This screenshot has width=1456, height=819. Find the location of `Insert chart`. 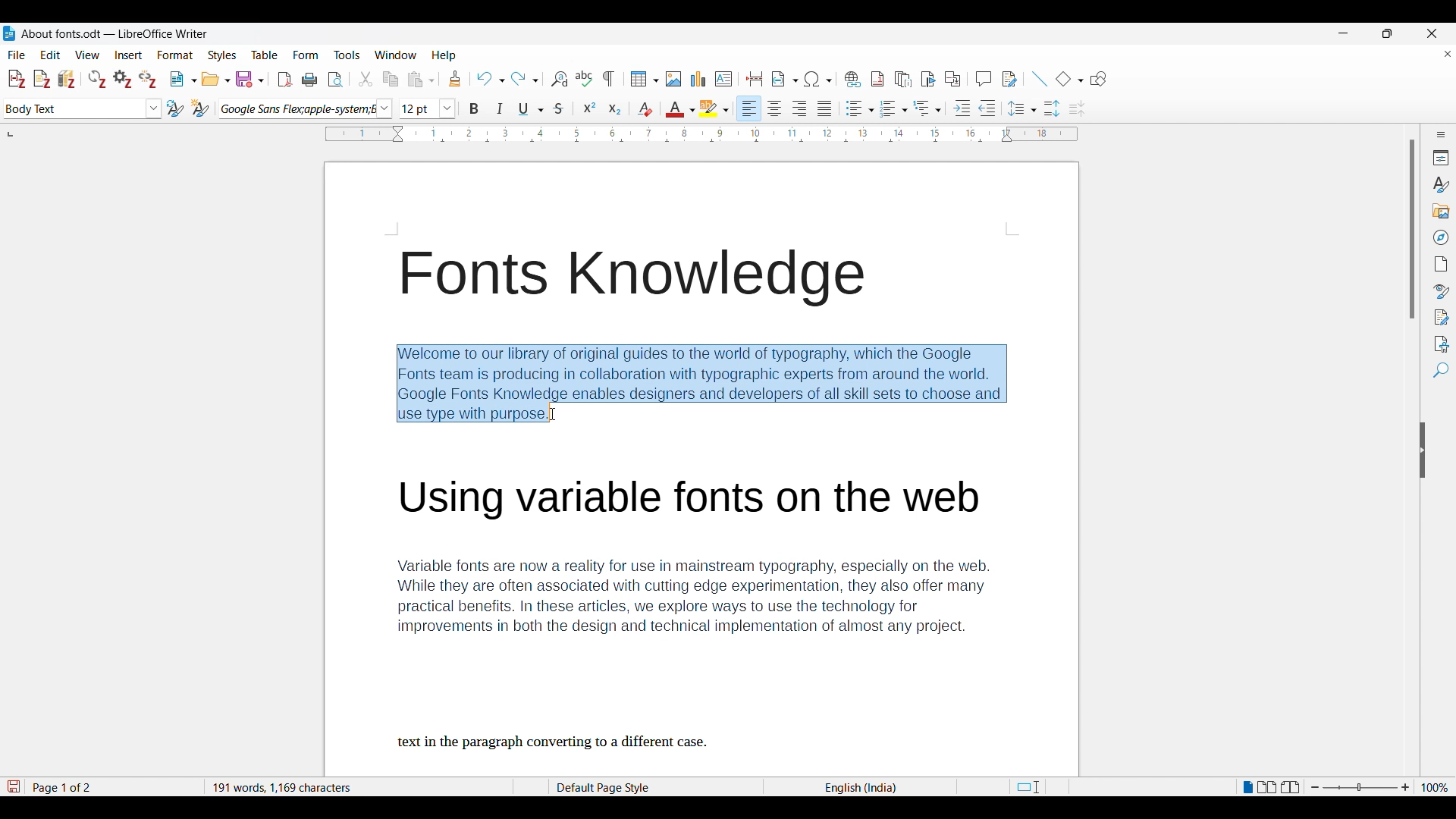

Insert chart is located at coordinates (698, 79).